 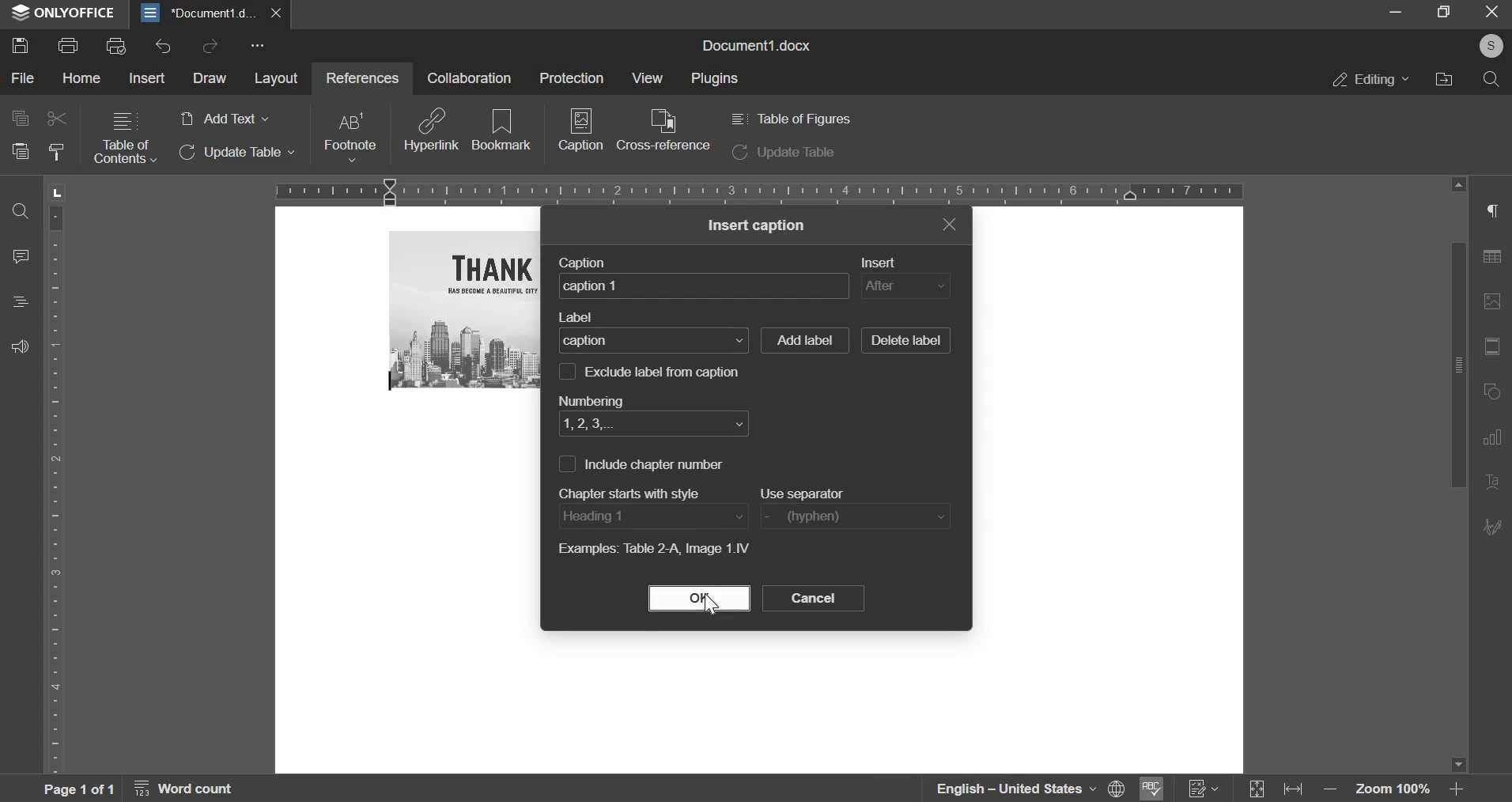 What do you see at coordinates (589, 398) in the screenshot?
I see `numbering ` at bounding box center [589, 398].